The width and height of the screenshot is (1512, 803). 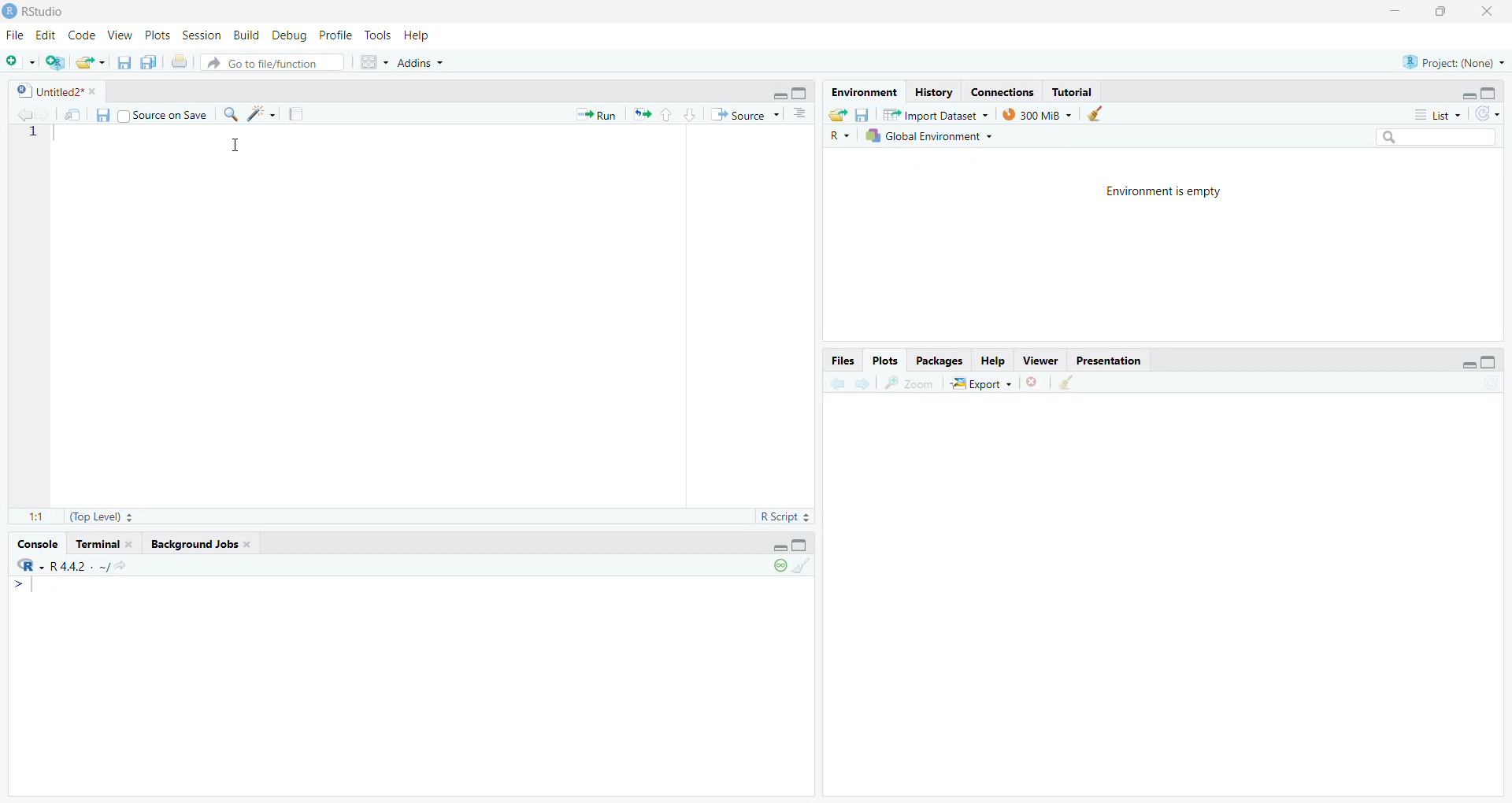 What do you see at coordinates (909, 383) in the screenshot?
I see `zoom` at bounding box center [909, 383].